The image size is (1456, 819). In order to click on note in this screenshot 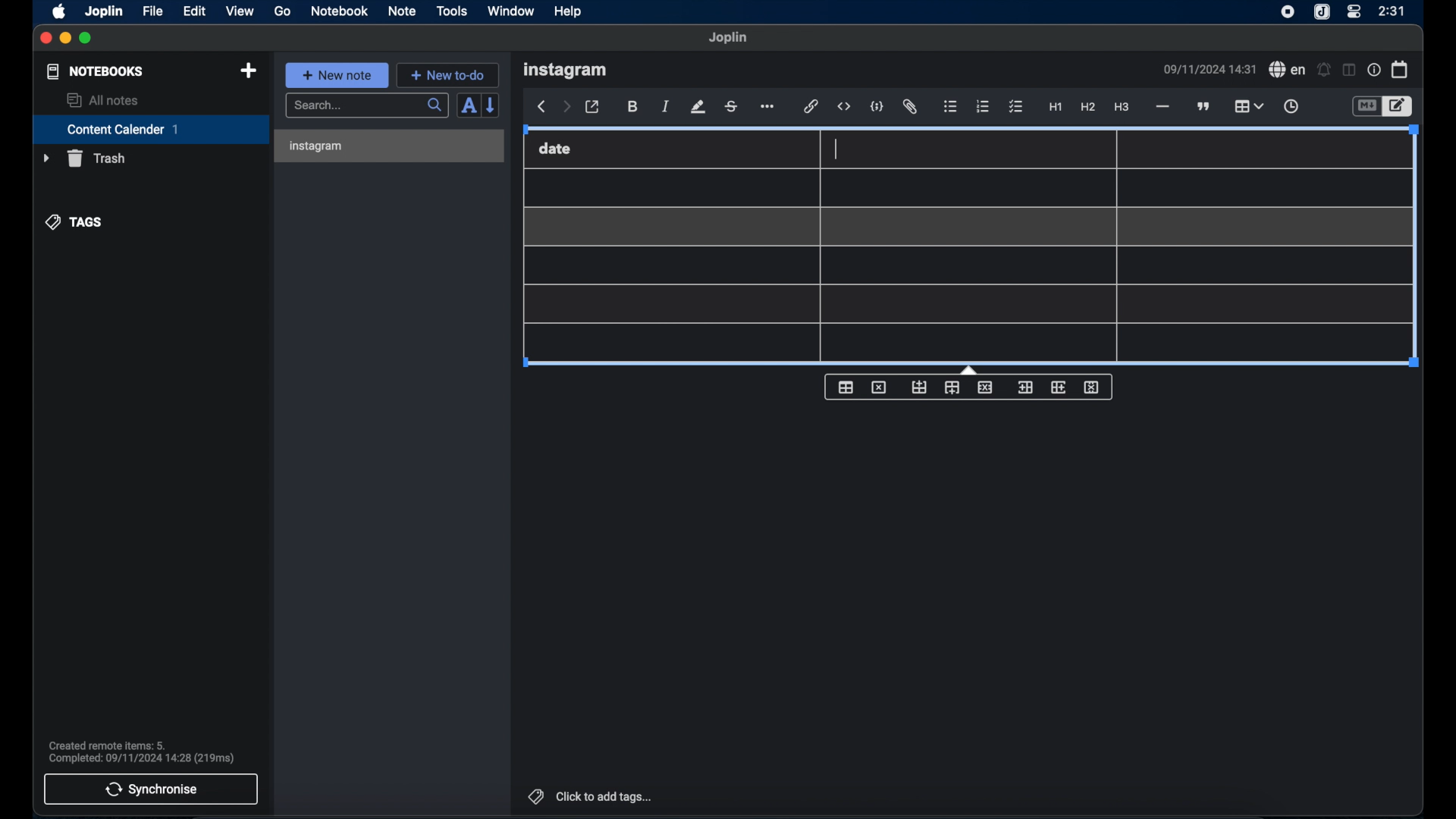, I will do `click(402, 12)`.